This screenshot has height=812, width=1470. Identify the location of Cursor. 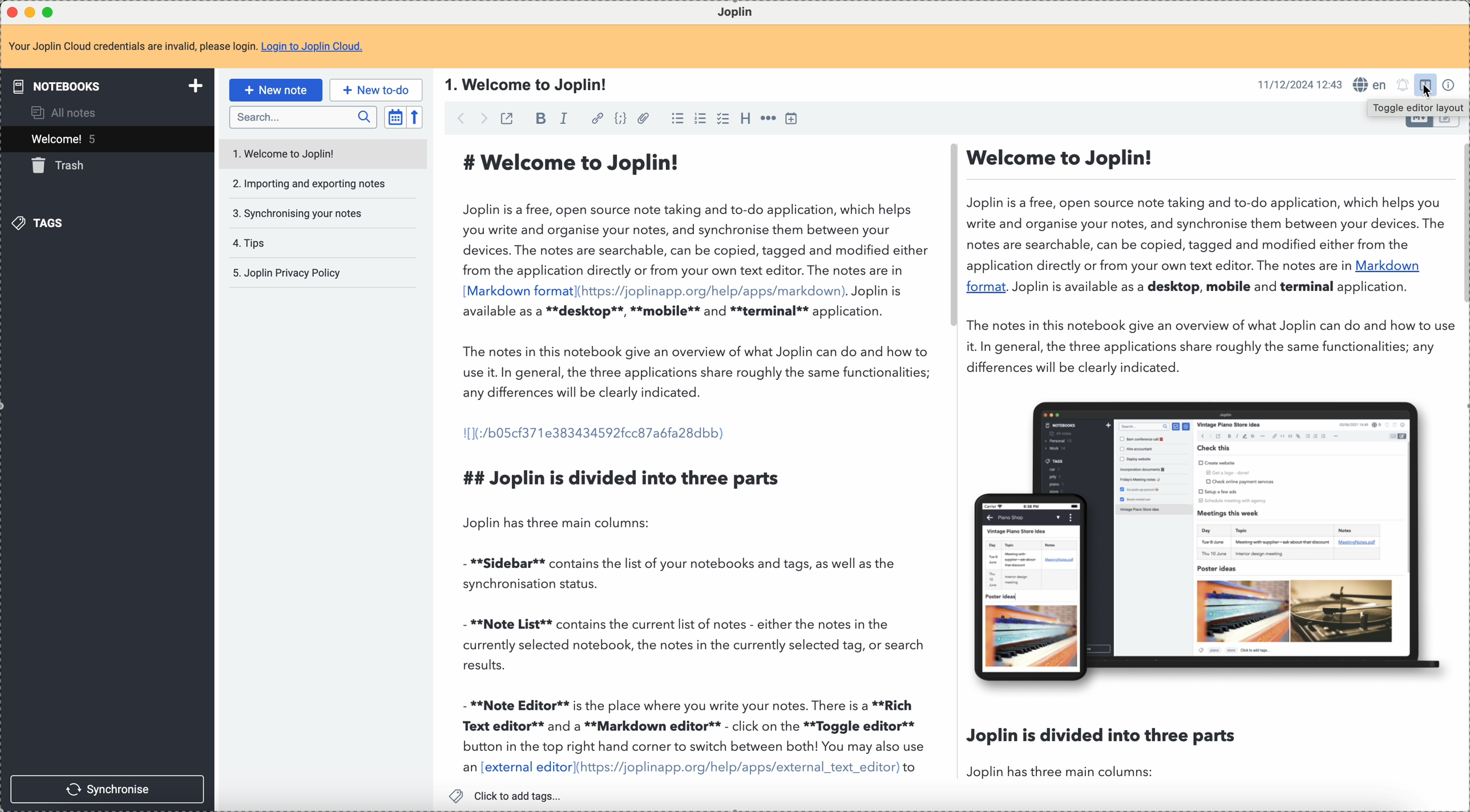
(1427, 91).